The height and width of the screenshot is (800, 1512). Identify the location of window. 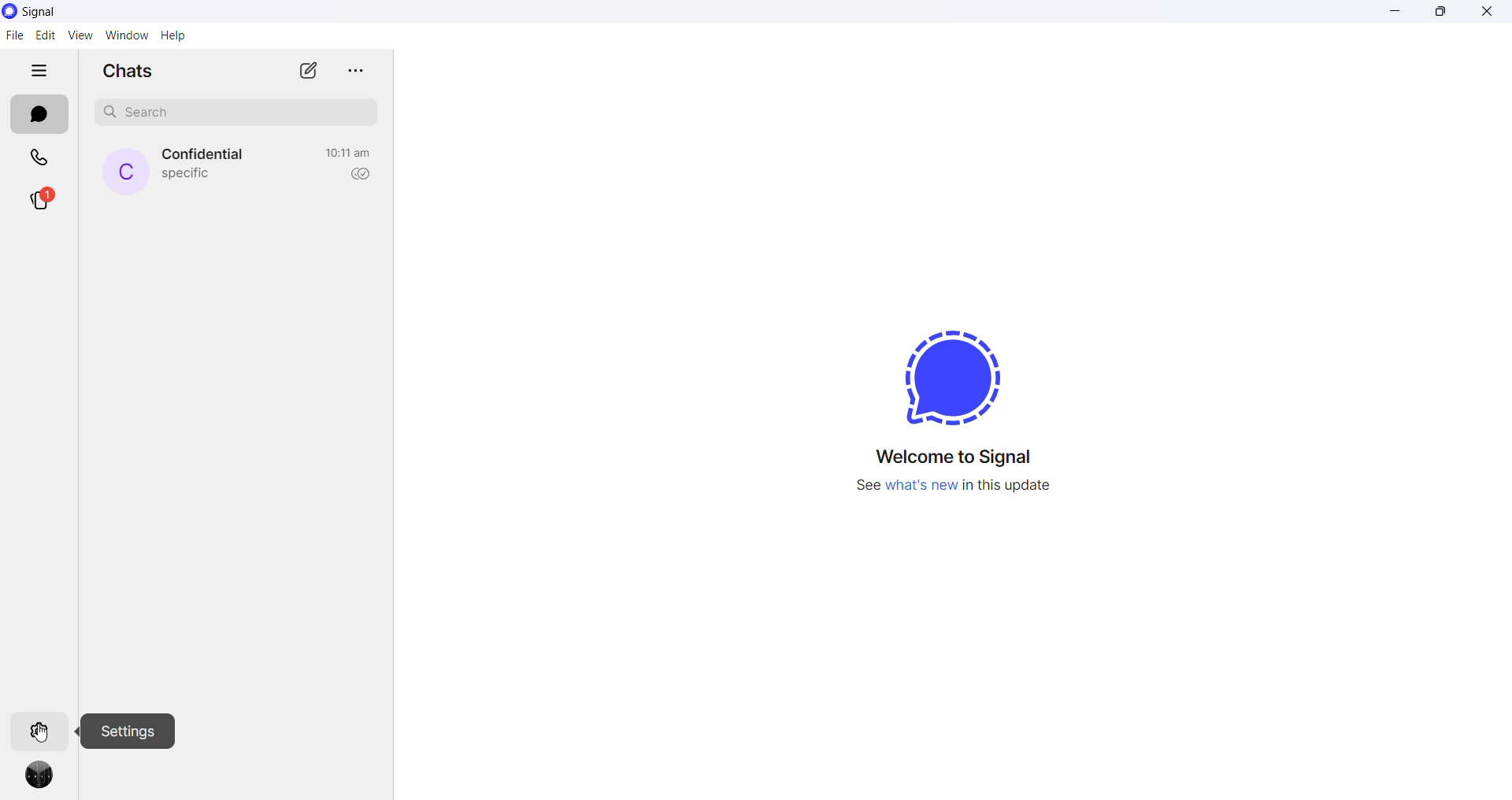
(126, 35).